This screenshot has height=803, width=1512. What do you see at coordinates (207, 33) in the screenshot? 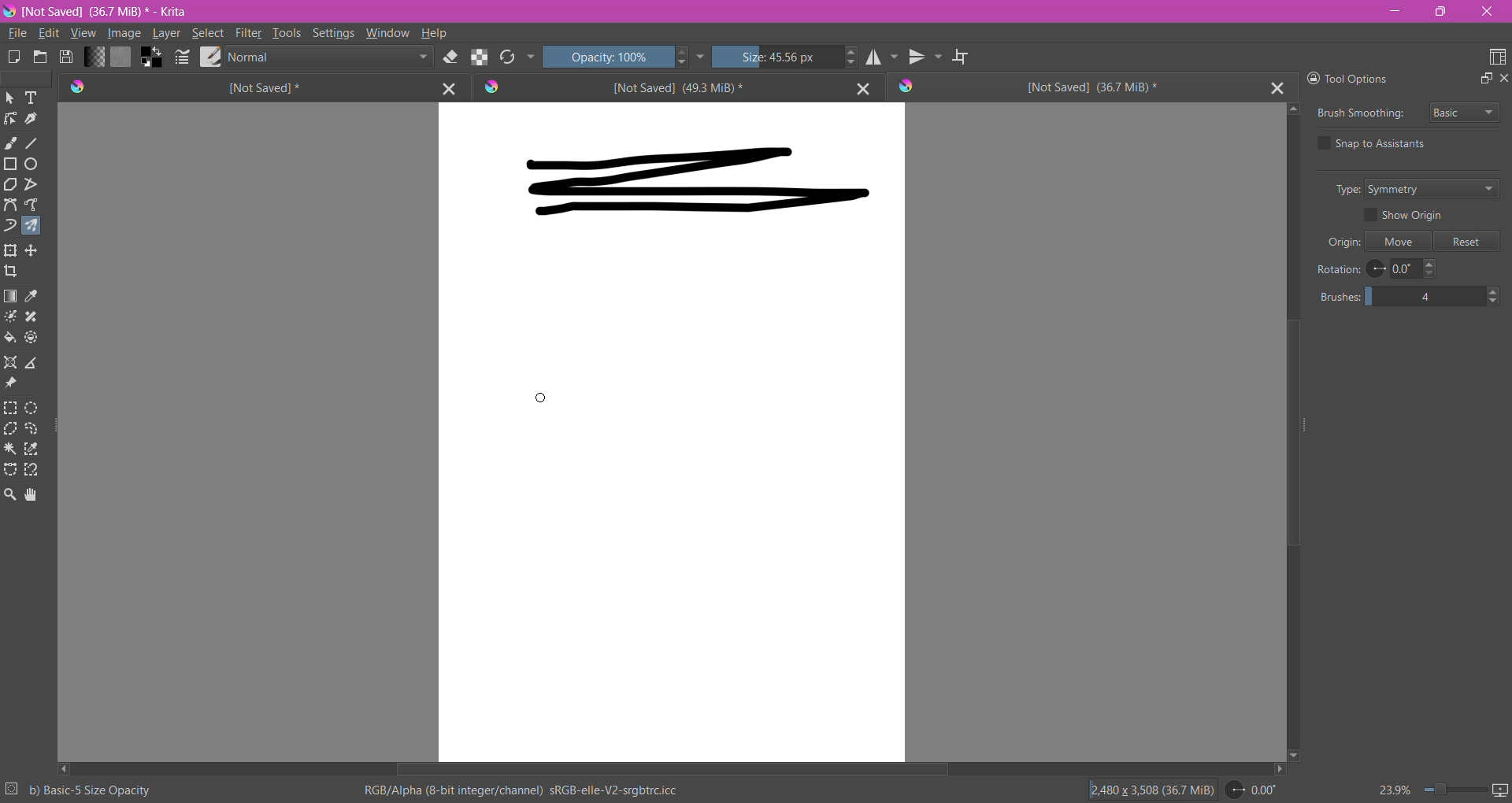
I see `Select` at bounding box center [207, 33].